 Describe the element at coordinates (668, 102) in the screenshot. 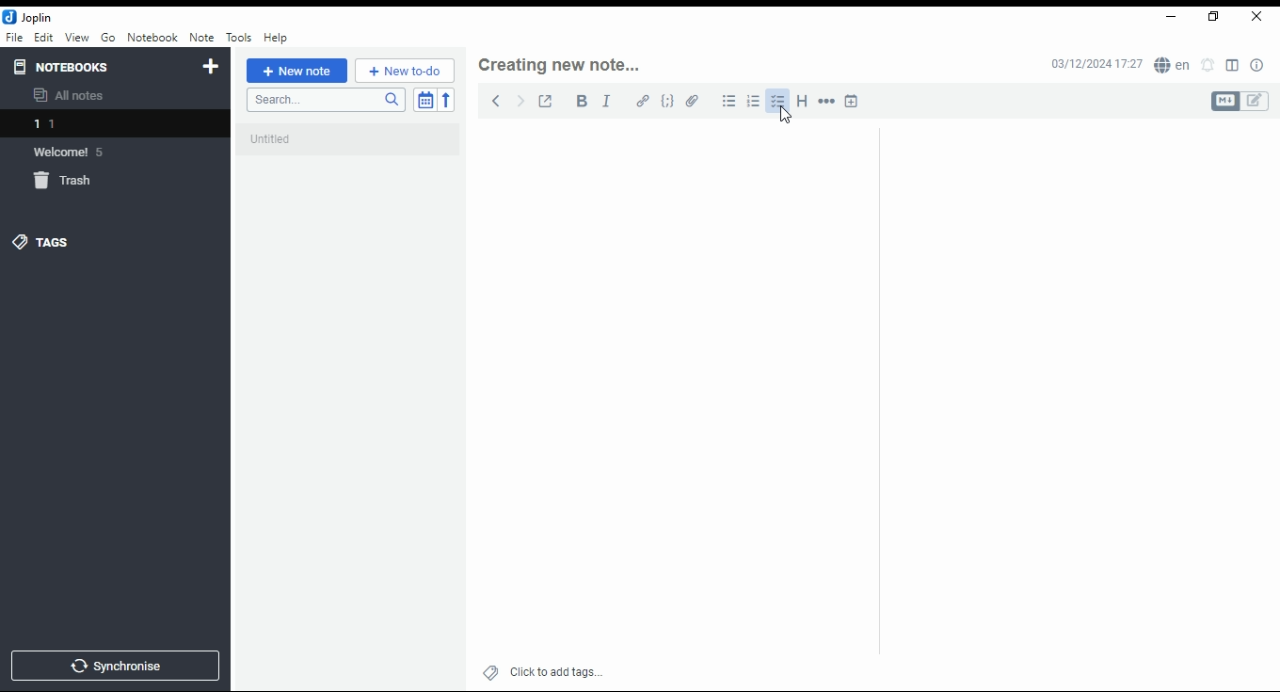

I see `code` at that location.